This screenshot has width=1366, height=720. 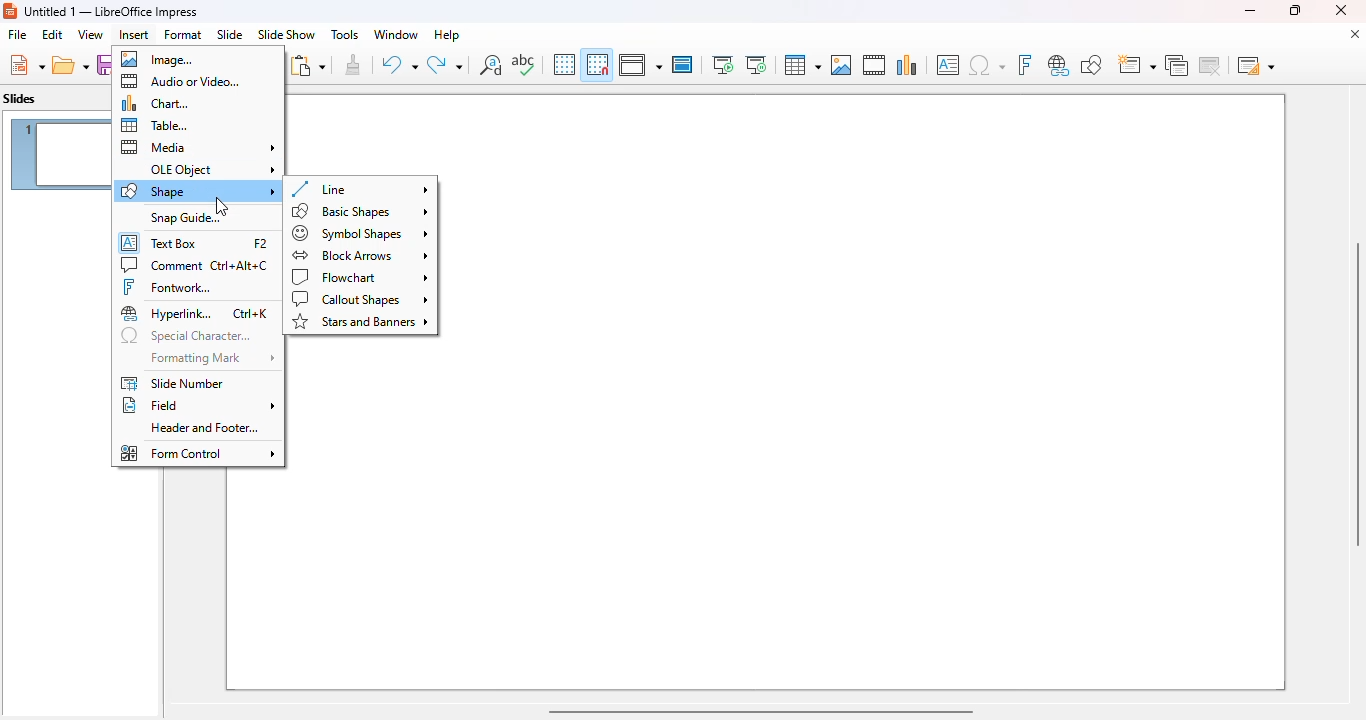 What do you see at coordinates (445, 65) in the screenshot?
I see `redo` at bounding box center [445, 65].